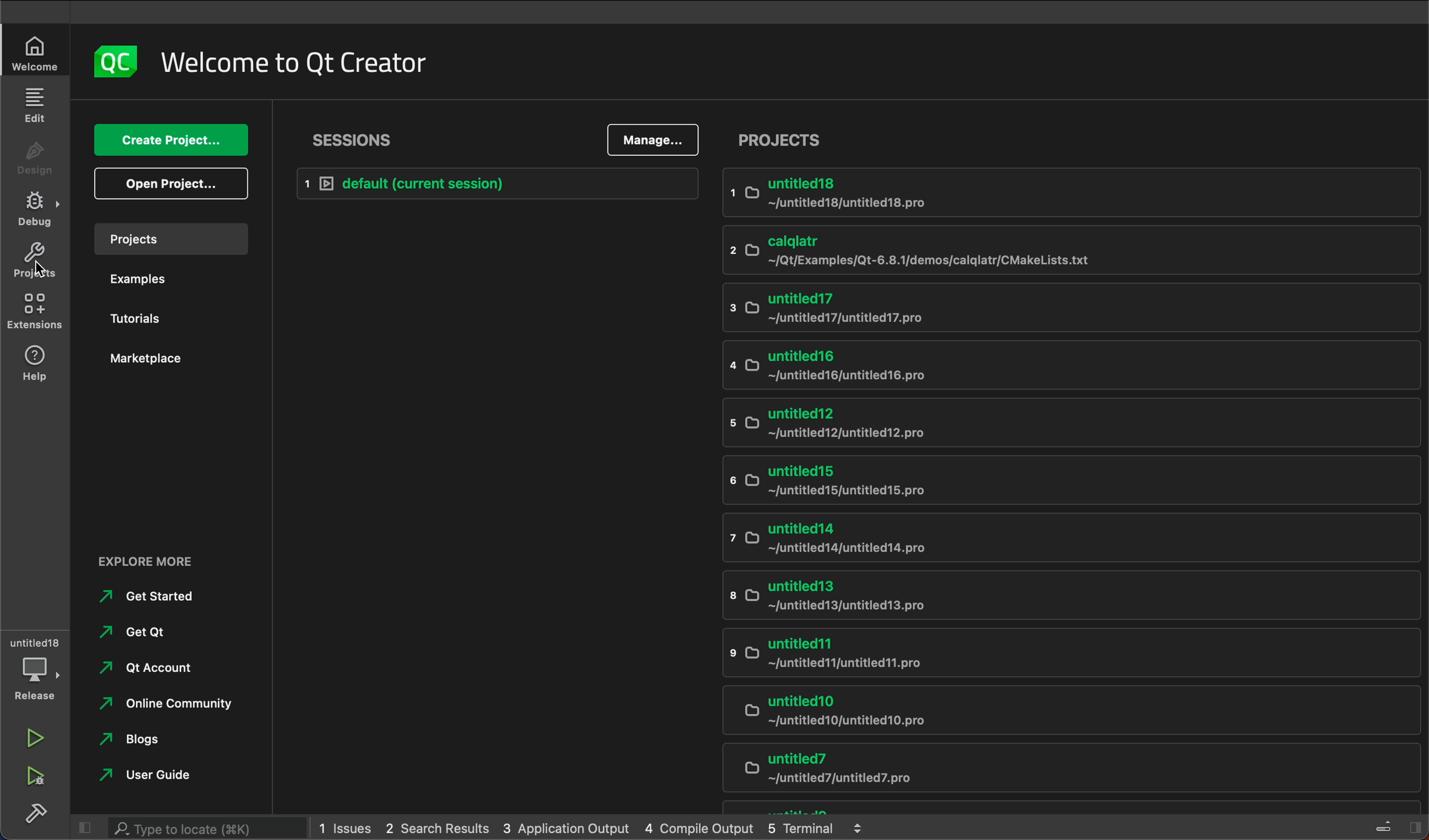  Describe the element at coordinates (161, 703) in the screenshot. I see `online community` at that location.